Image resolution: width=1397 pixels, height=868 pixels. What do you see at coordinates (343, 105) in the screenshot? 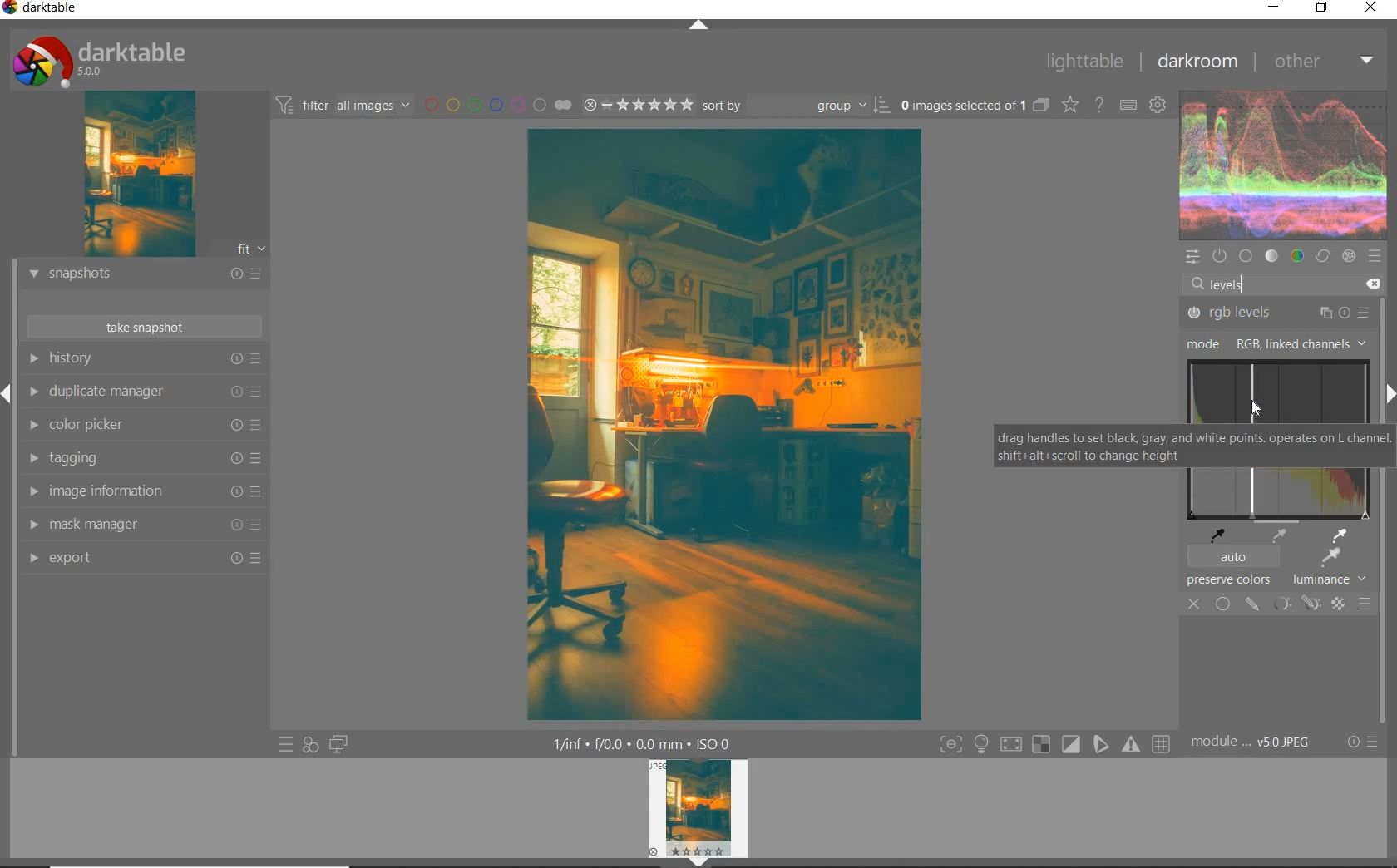
I see `filter images based on their modules` at bounding box center [343, 105].